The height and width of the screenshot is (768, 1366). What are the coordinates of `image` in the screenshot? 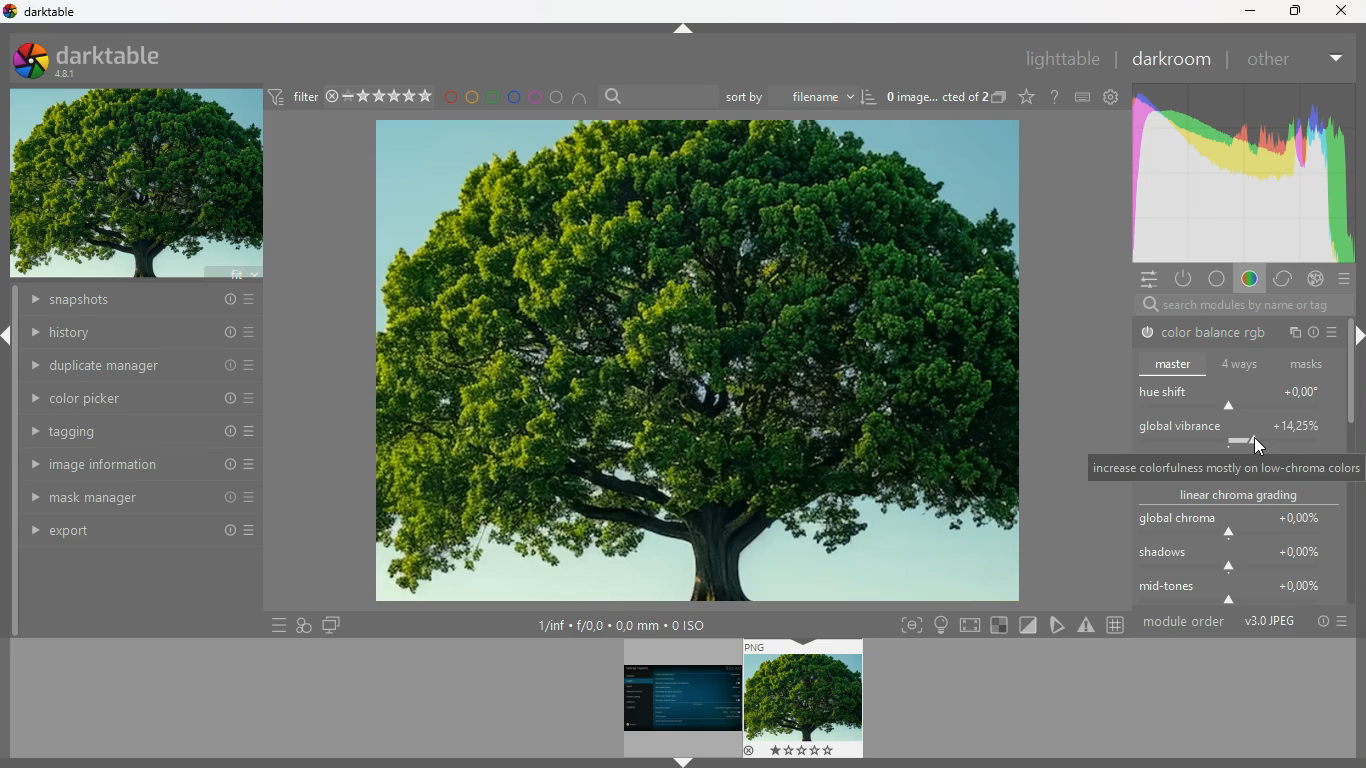 It's located at (692, 362).